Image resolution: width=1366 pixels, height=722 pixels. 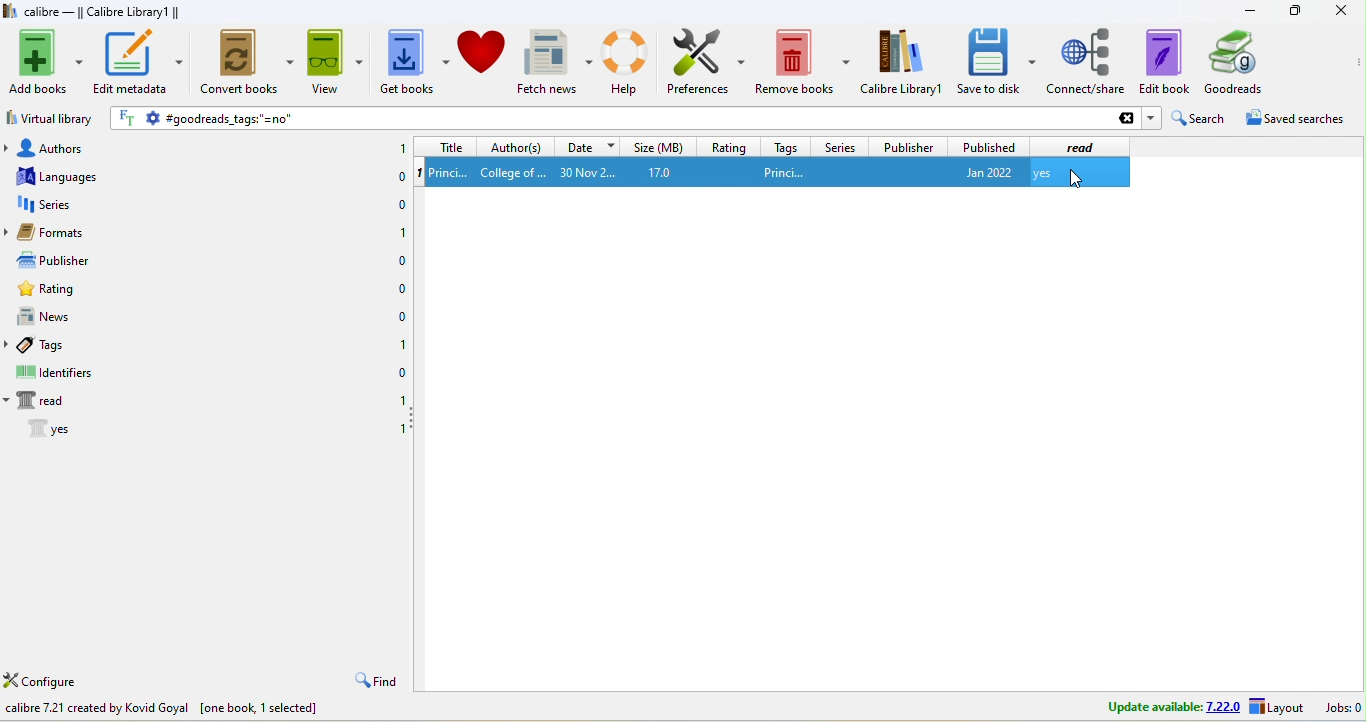 I want to click on jan 2022, so click(x=984, y=173).